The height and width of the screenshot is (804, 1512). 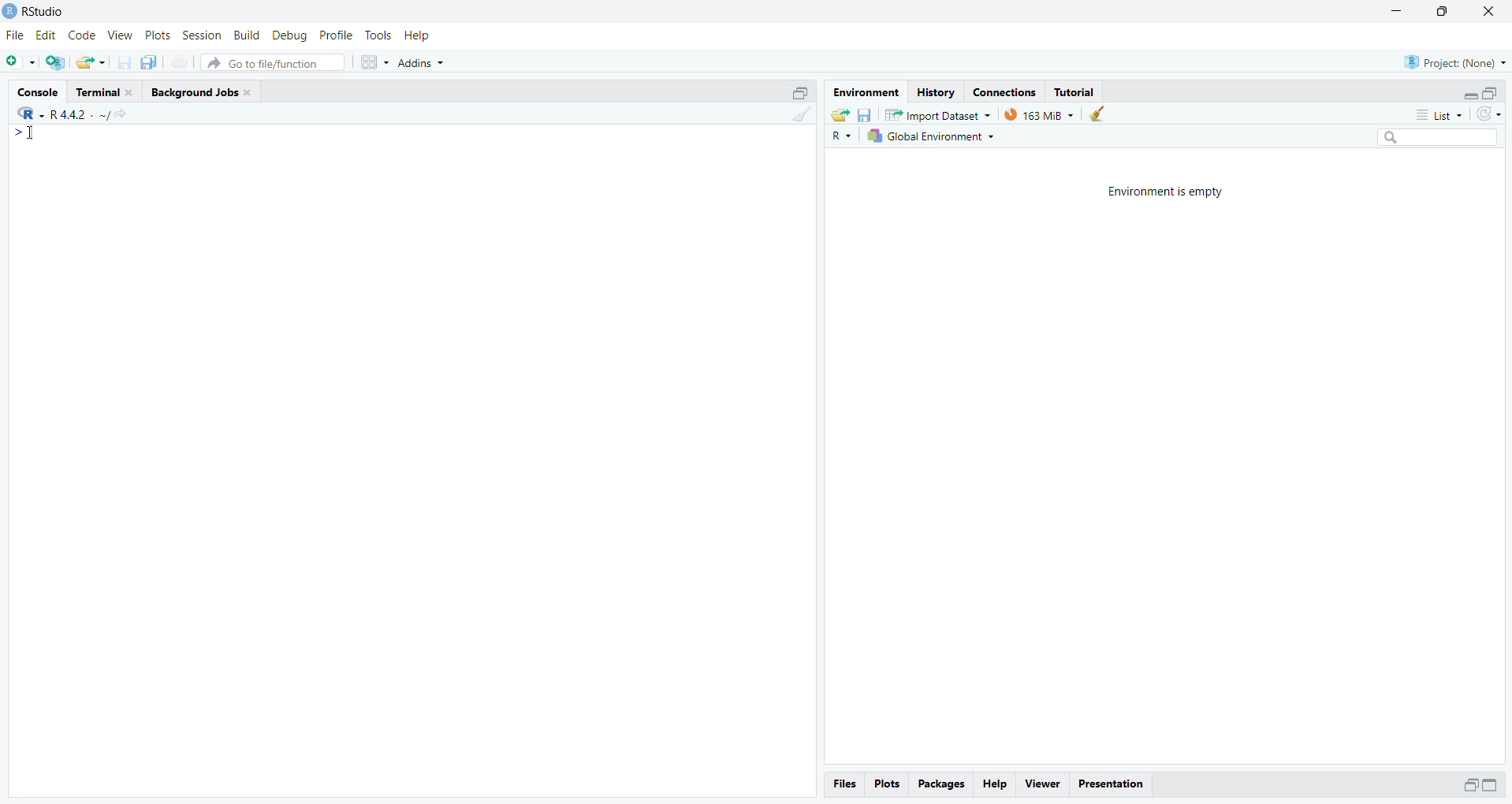 What do you see at coordinates (1039, 115) in the screenshot?
I see `163 MiB` at bounding box center [1039, 115].